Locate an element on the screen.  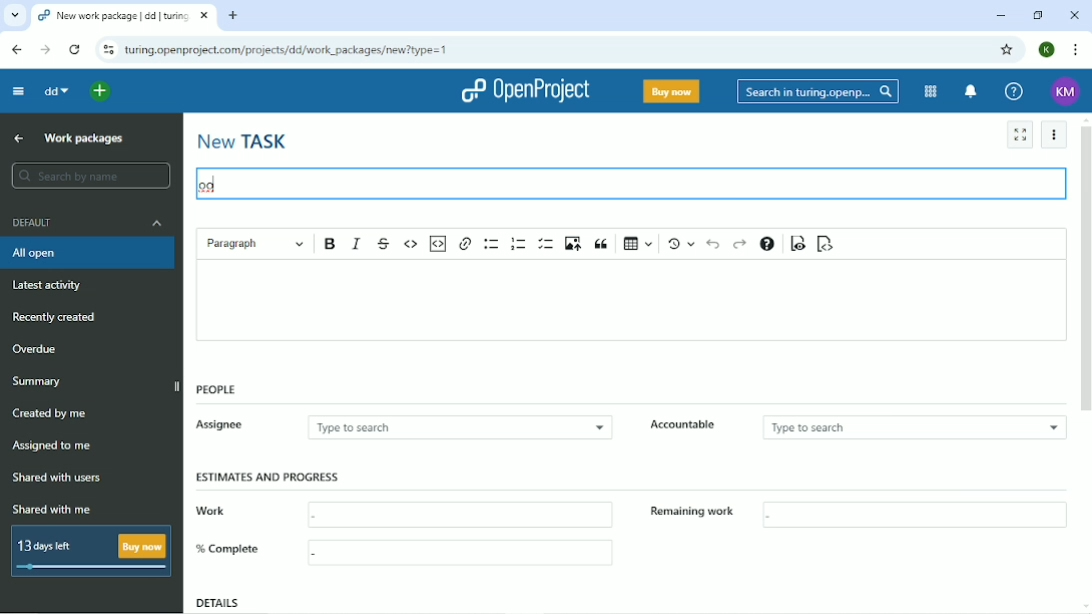
Customize and control google chrome is located at coordinates (1079, 50).